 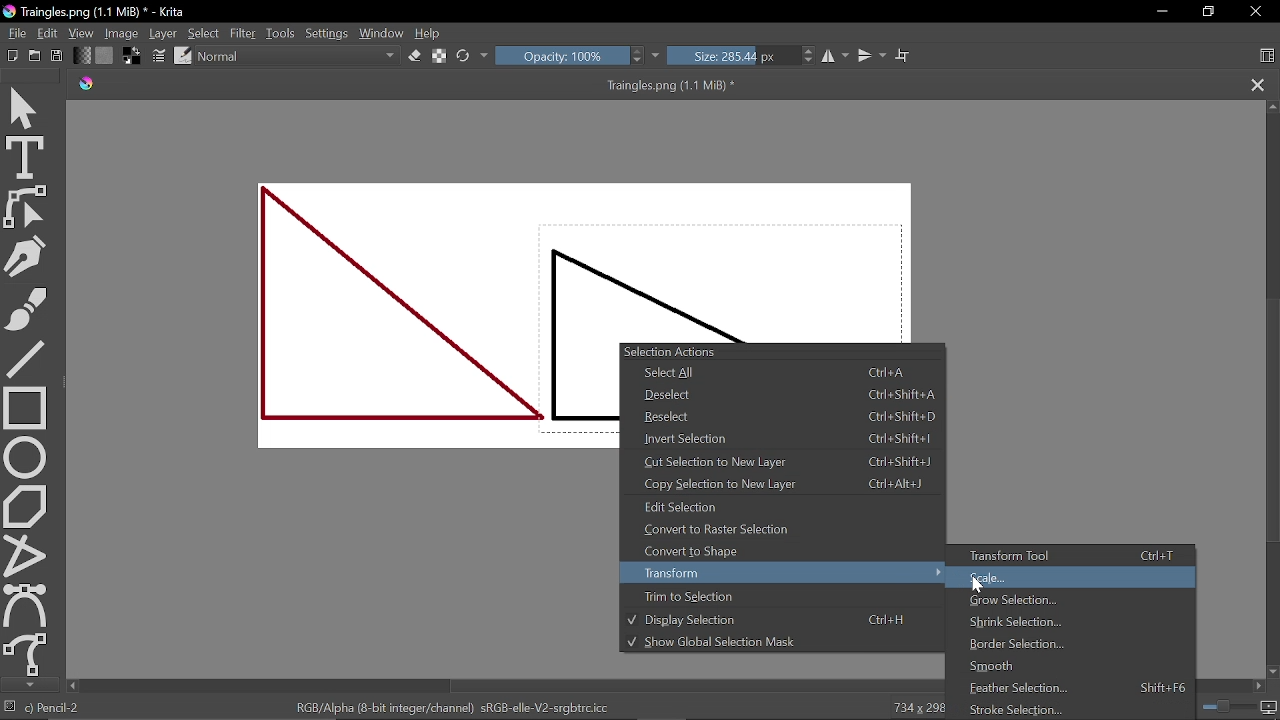 What do you see at coordinates (57, 708) in the screenshot?
I see `Pencil-2` at bounding box center [57, 708].